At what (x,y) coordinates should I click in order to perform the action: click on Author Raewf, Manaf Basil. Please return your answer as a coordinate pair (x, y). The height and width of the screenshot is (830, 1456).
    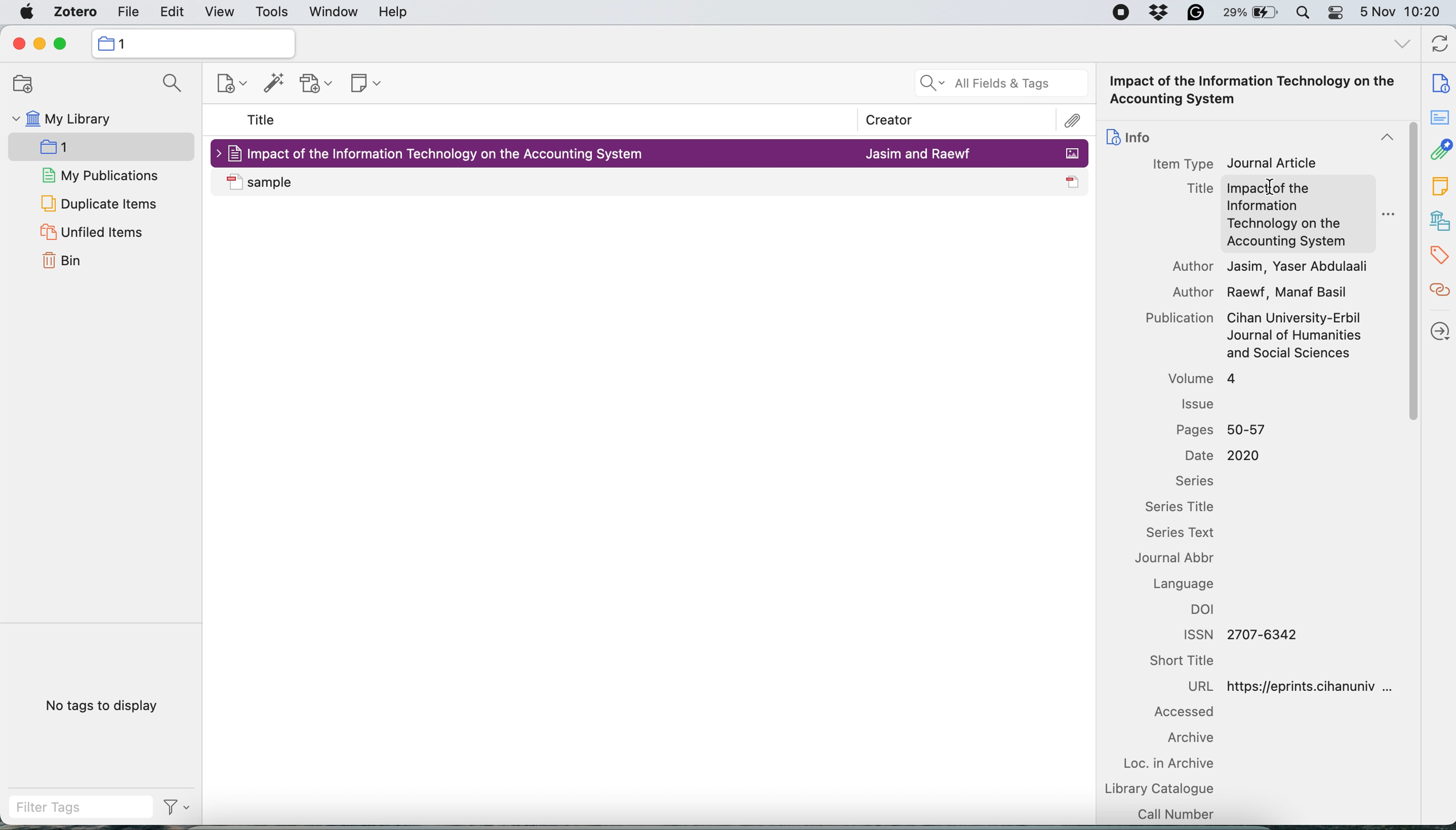
    Looking at the image, I should click on (1260, 292).